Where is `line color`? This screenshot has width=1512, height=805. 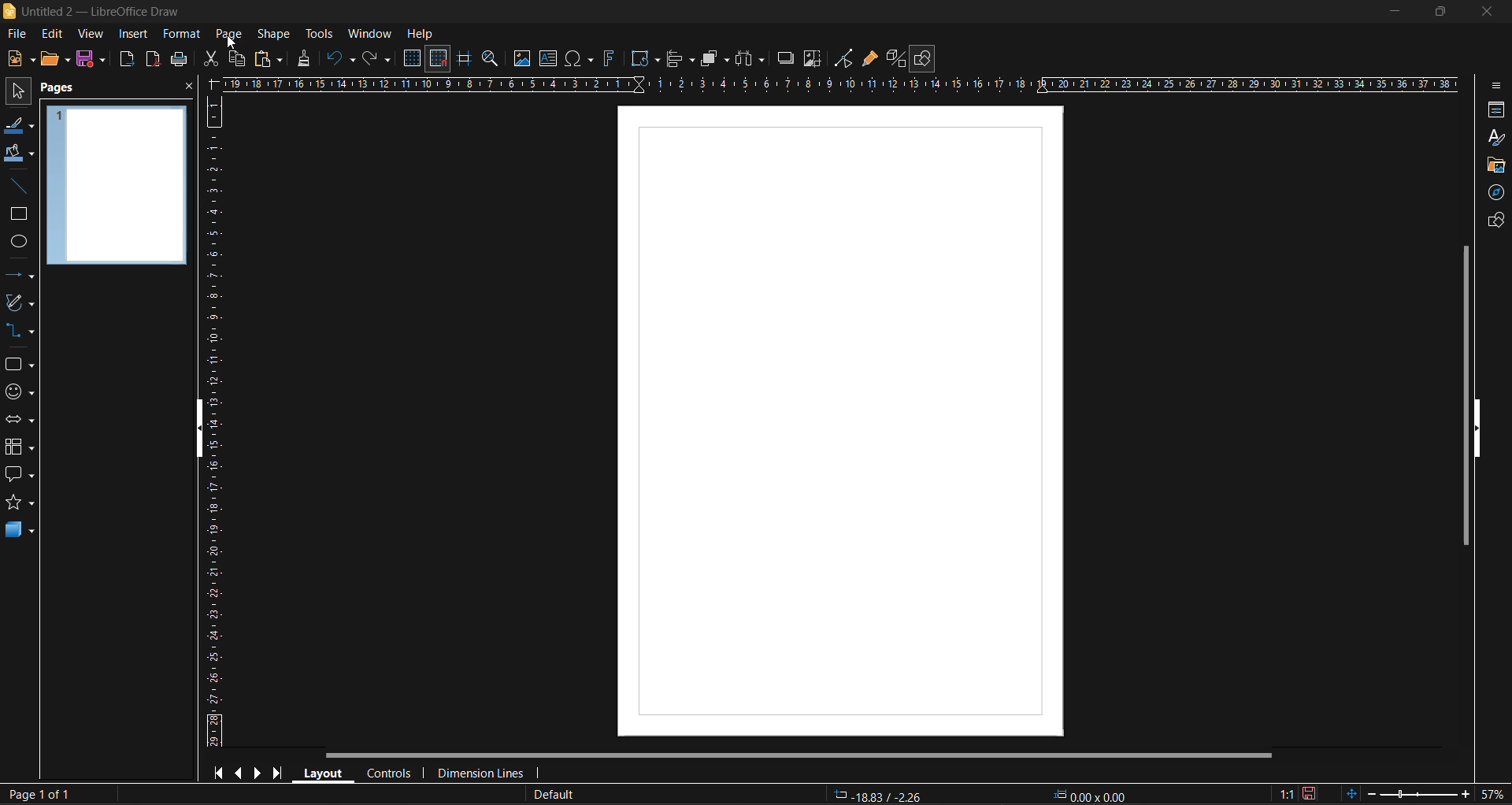
line color is located at coordinates (20, 128).